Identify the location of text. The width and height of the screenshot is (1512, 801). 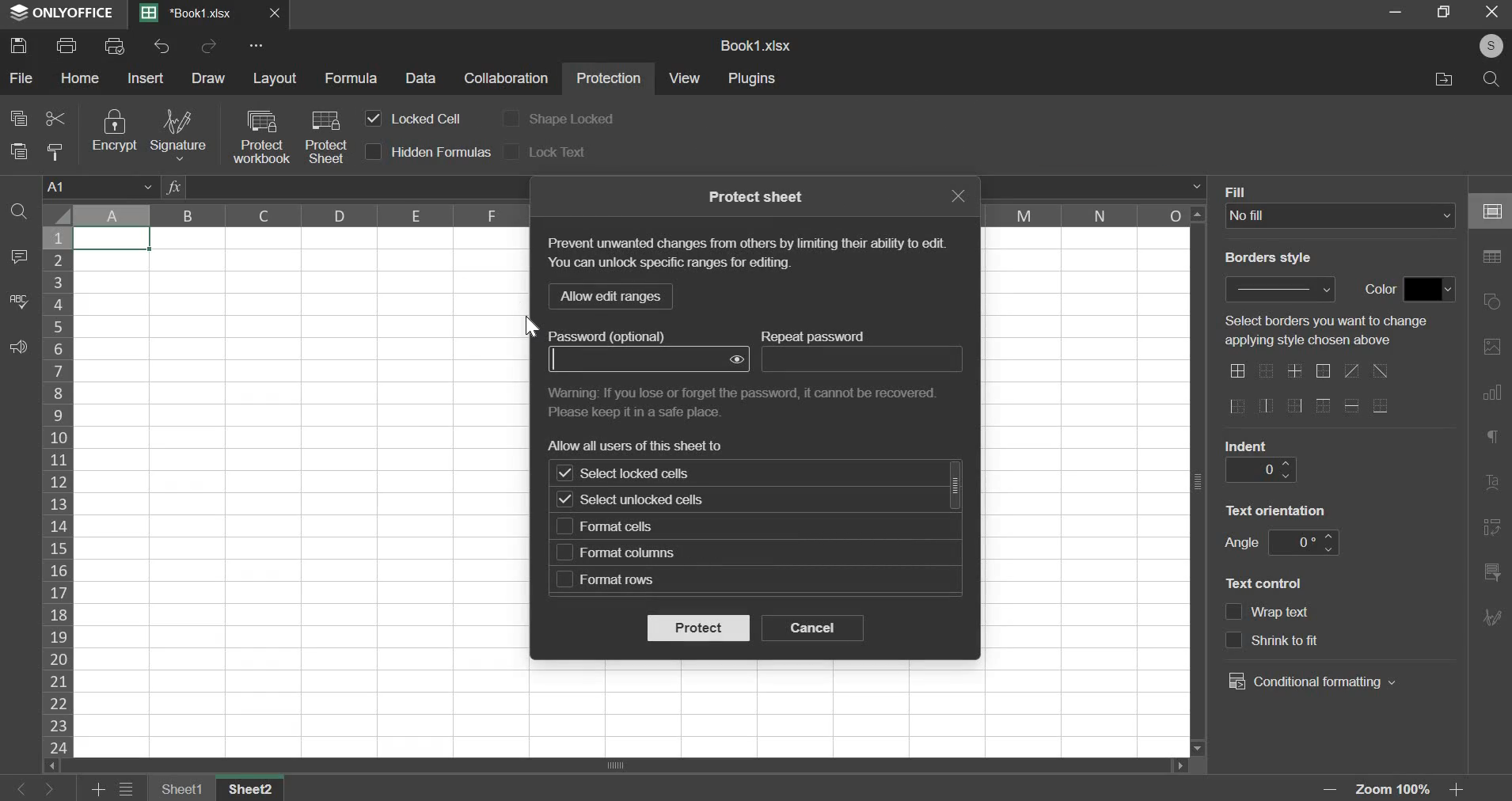
(749, 400).